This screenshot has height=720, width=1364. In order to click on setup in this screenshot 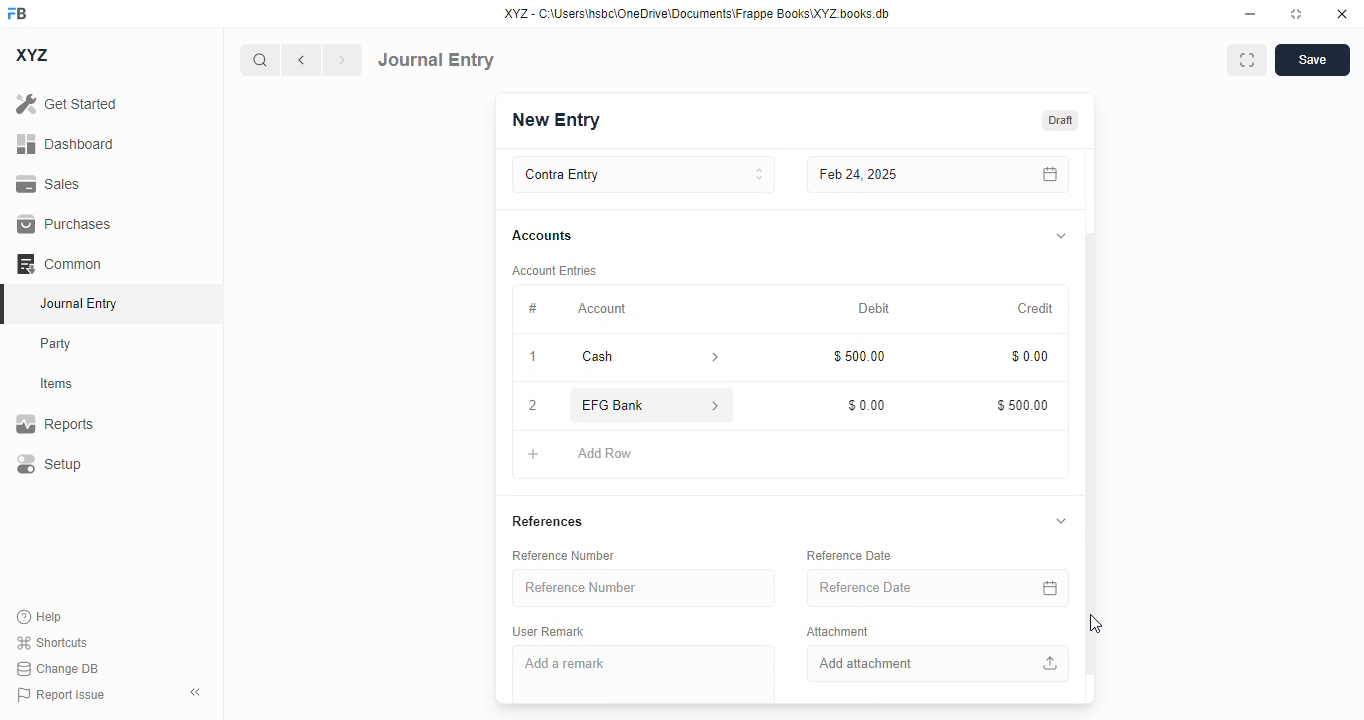, I will do `click(49, 463)`.